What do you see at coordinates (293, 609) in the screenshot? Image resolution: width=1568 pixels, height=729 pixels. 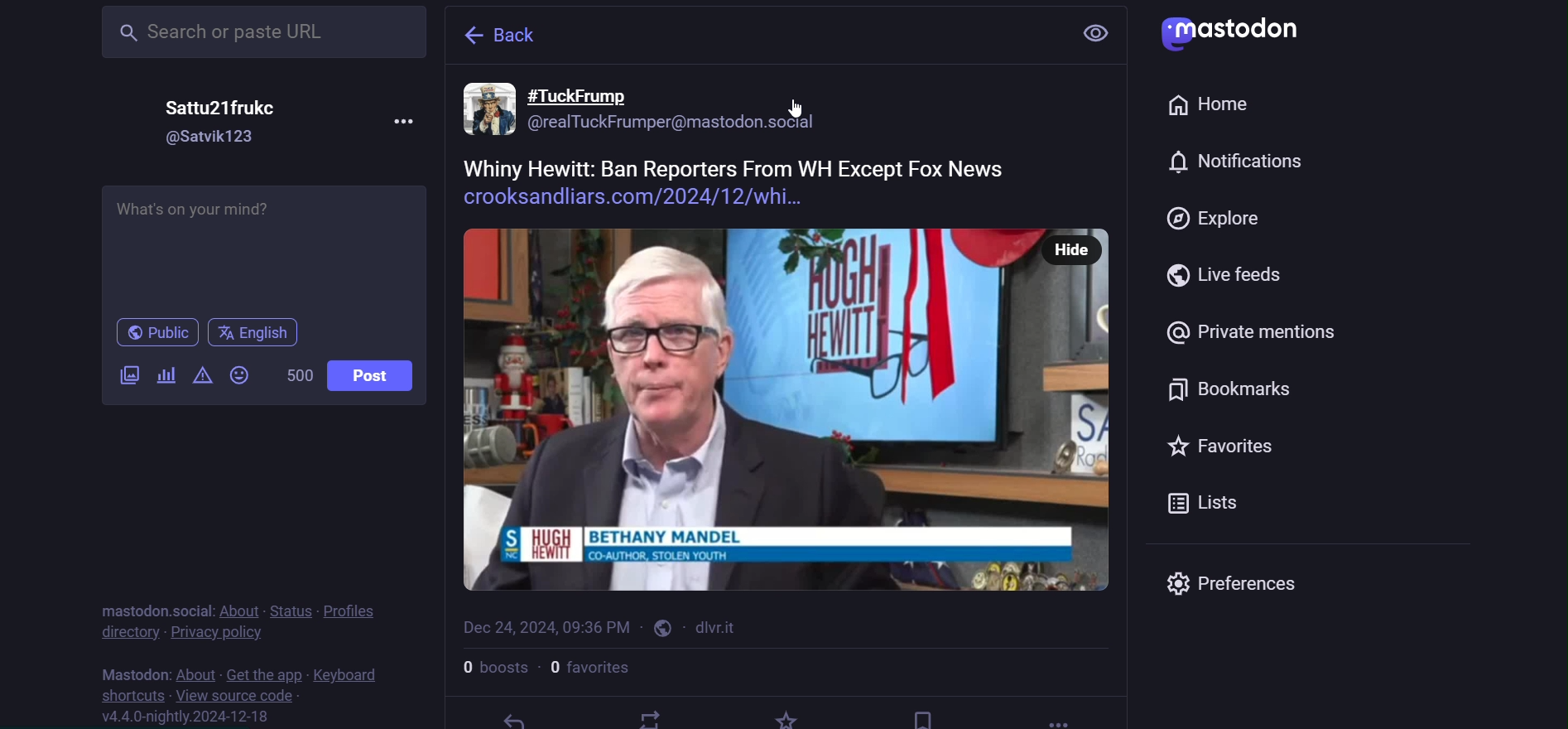 I see `status` at bounding box center [293, 609].